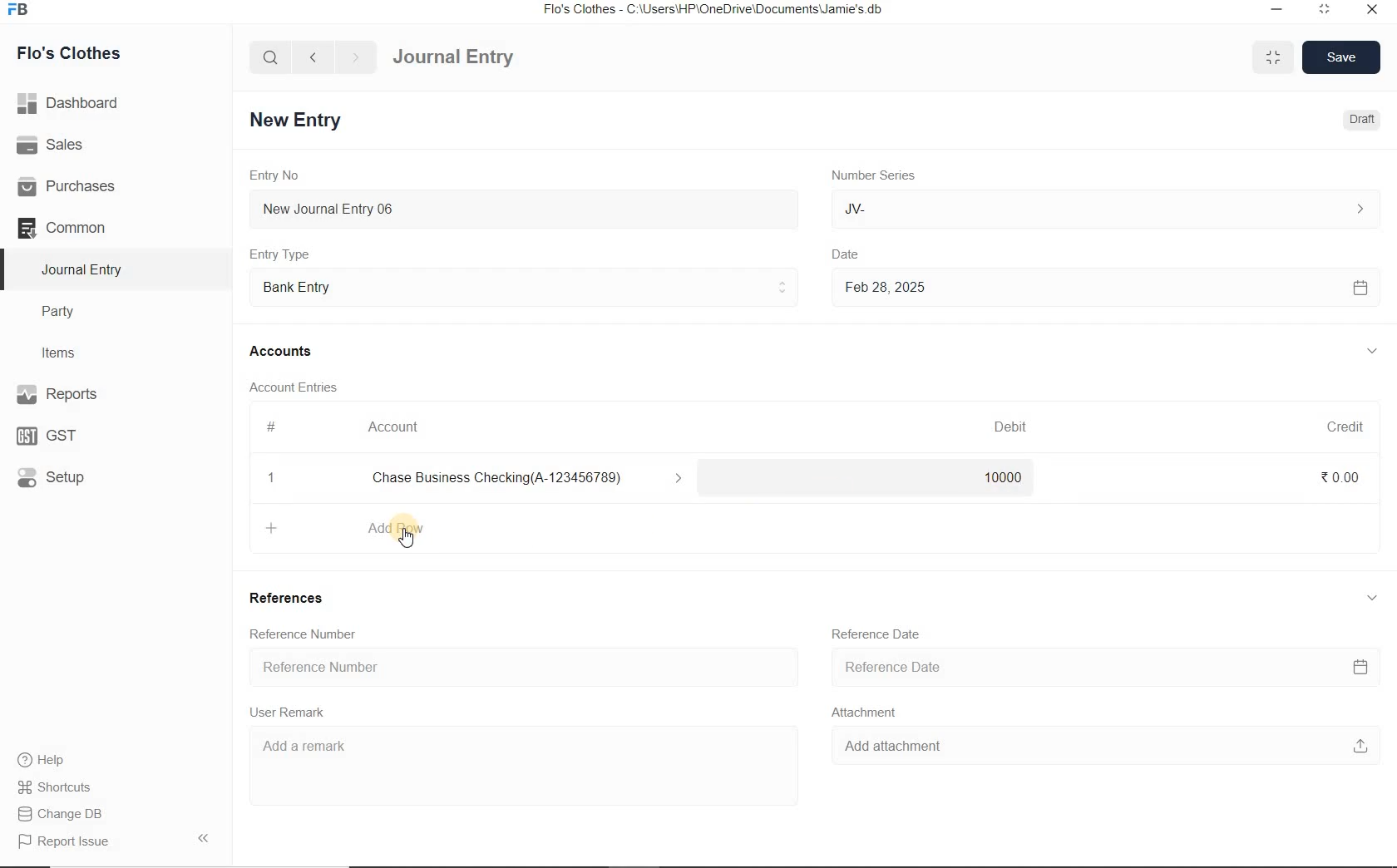  What do you see at coordinates (84, 269) in the screenshot?
I see `Journal Entry` at bounding box center [84, 269].